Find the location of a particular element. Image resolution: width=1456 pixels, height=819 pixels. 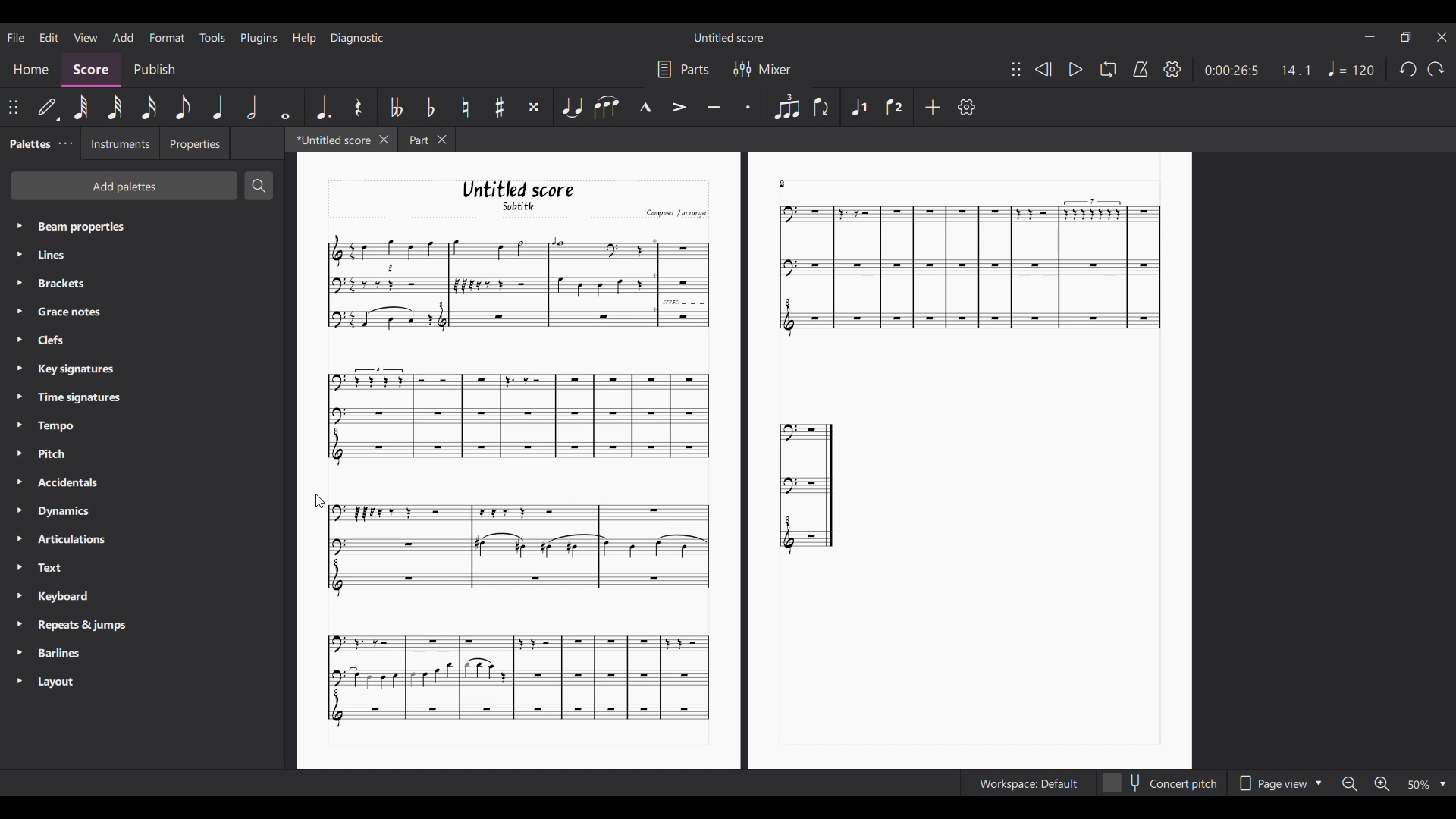

Minimize is located at coordinates (1370, 36).